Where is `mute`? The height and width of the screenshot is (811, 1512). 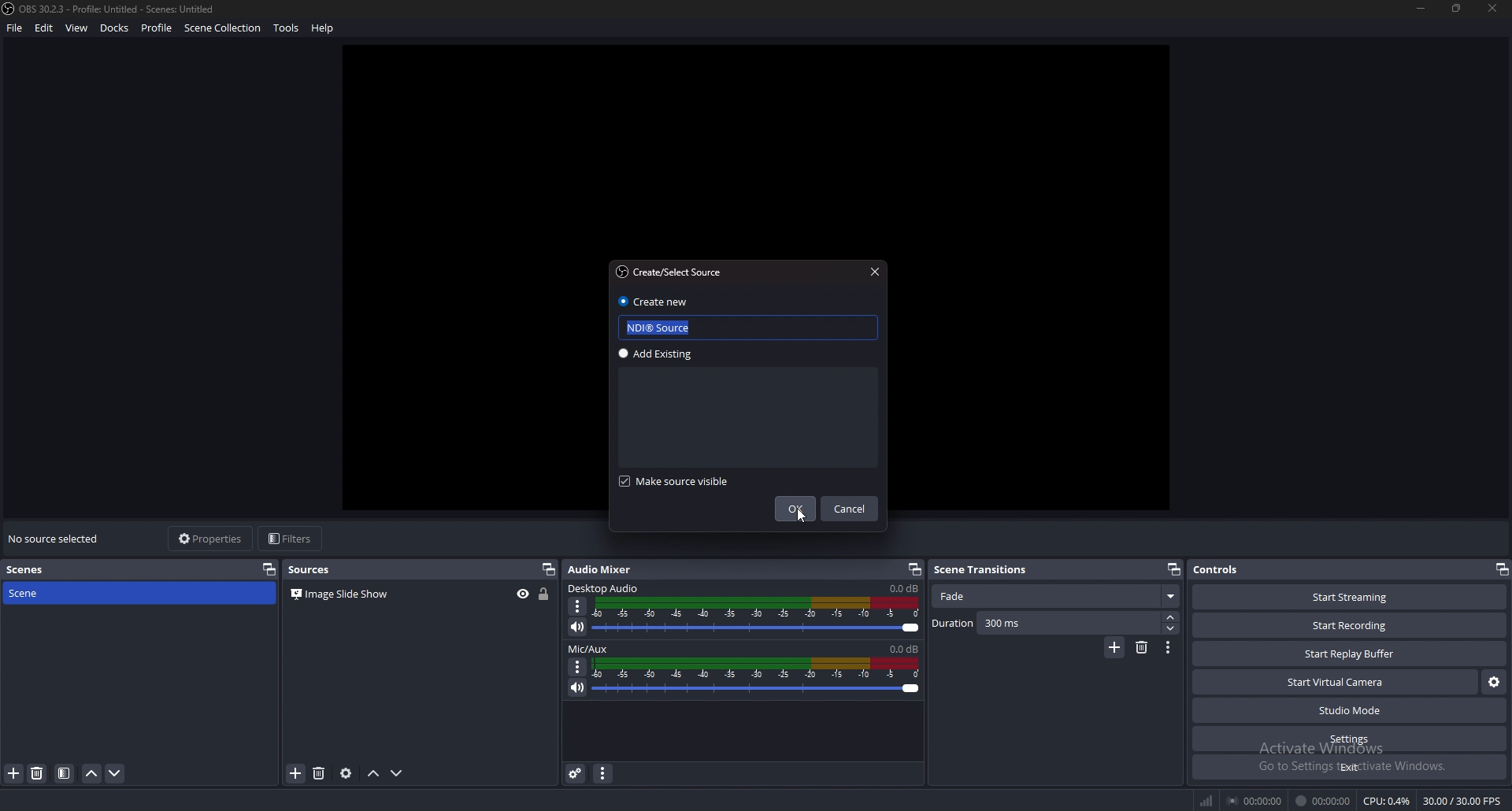
mute is located at coordinates (577, 688).